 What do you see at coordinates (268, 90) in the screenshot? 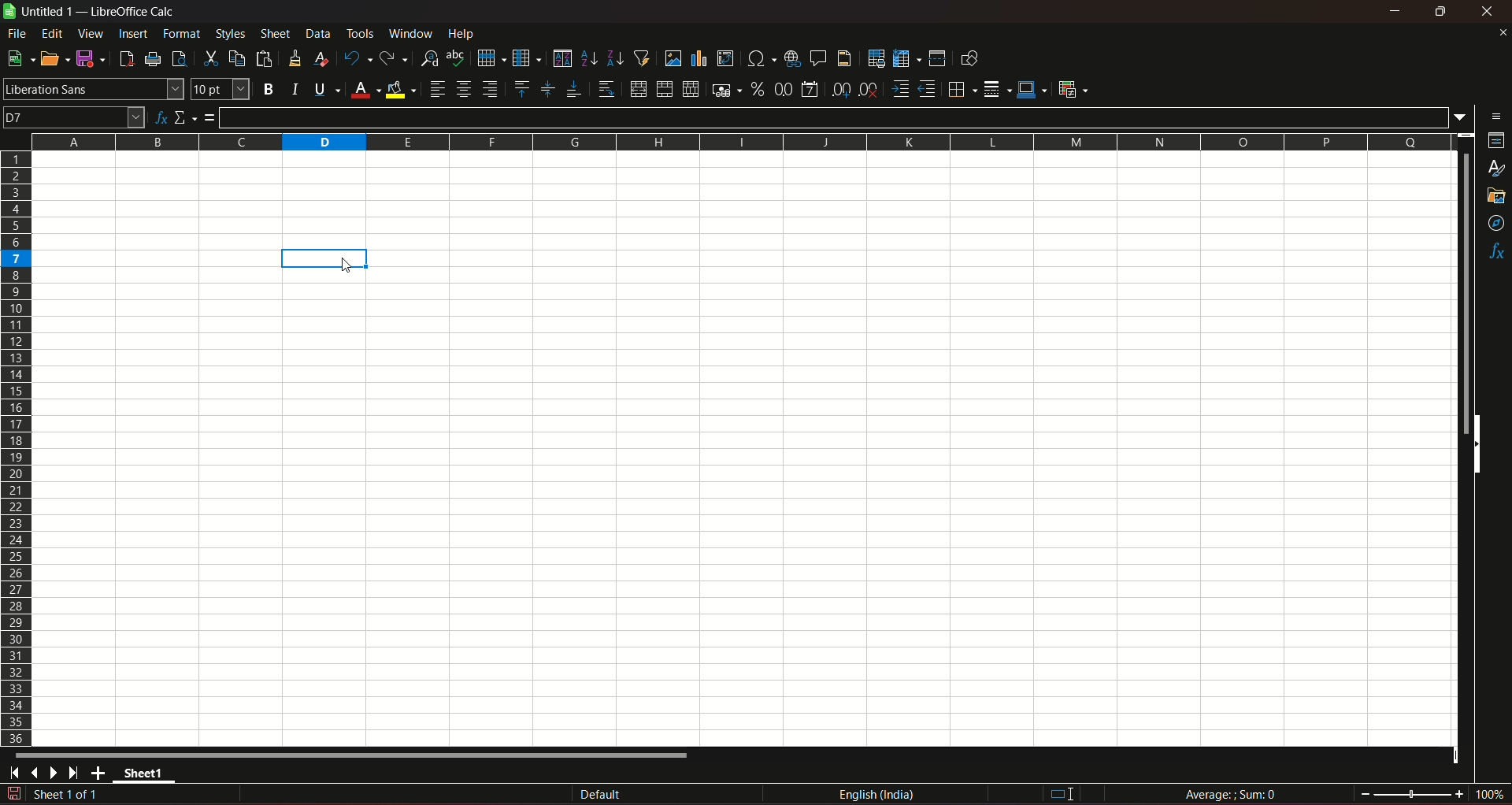
I see `bold` at bounding box center [268, 90].